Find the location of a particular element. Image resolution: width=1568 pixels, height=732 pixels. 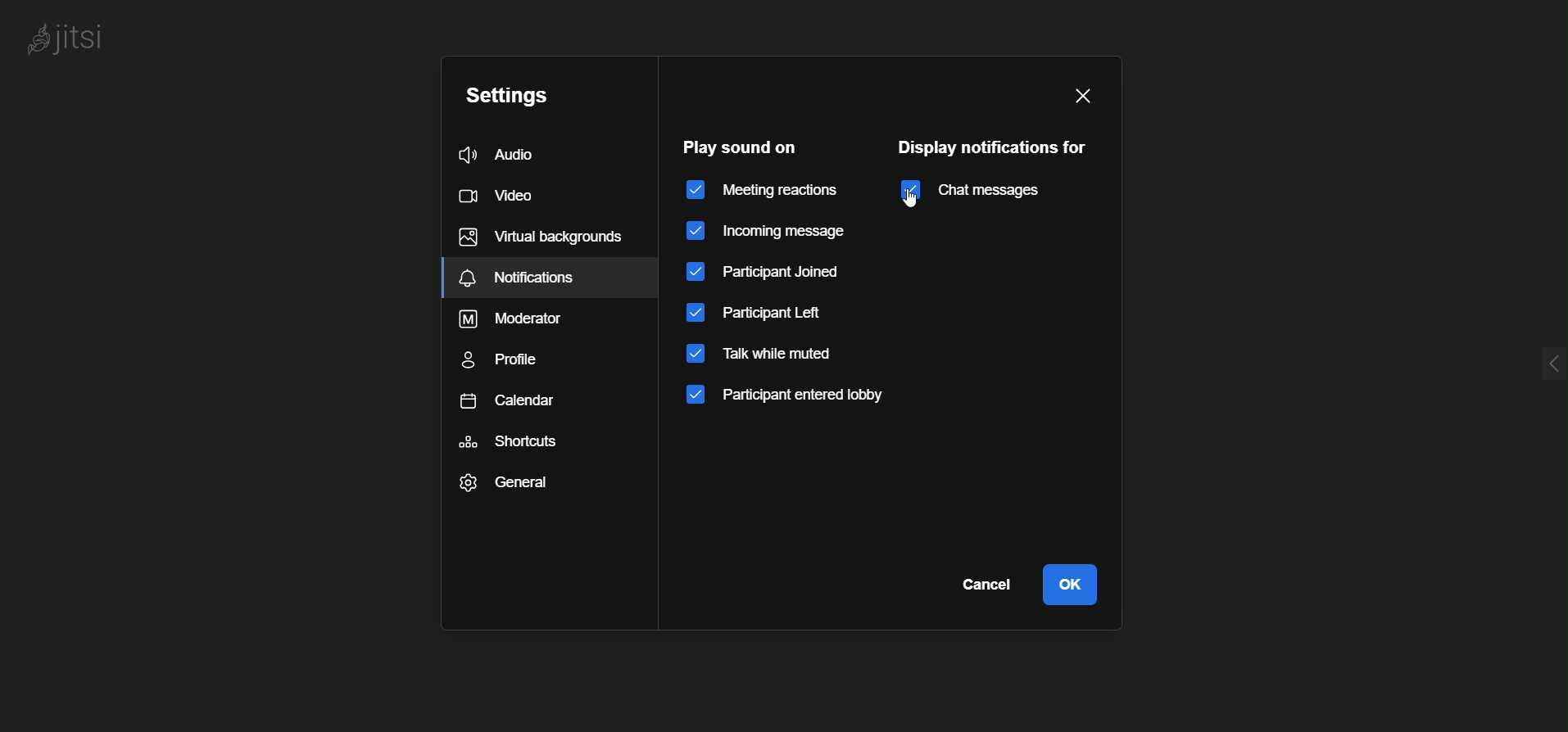

general is located at coordinates (510, 482).